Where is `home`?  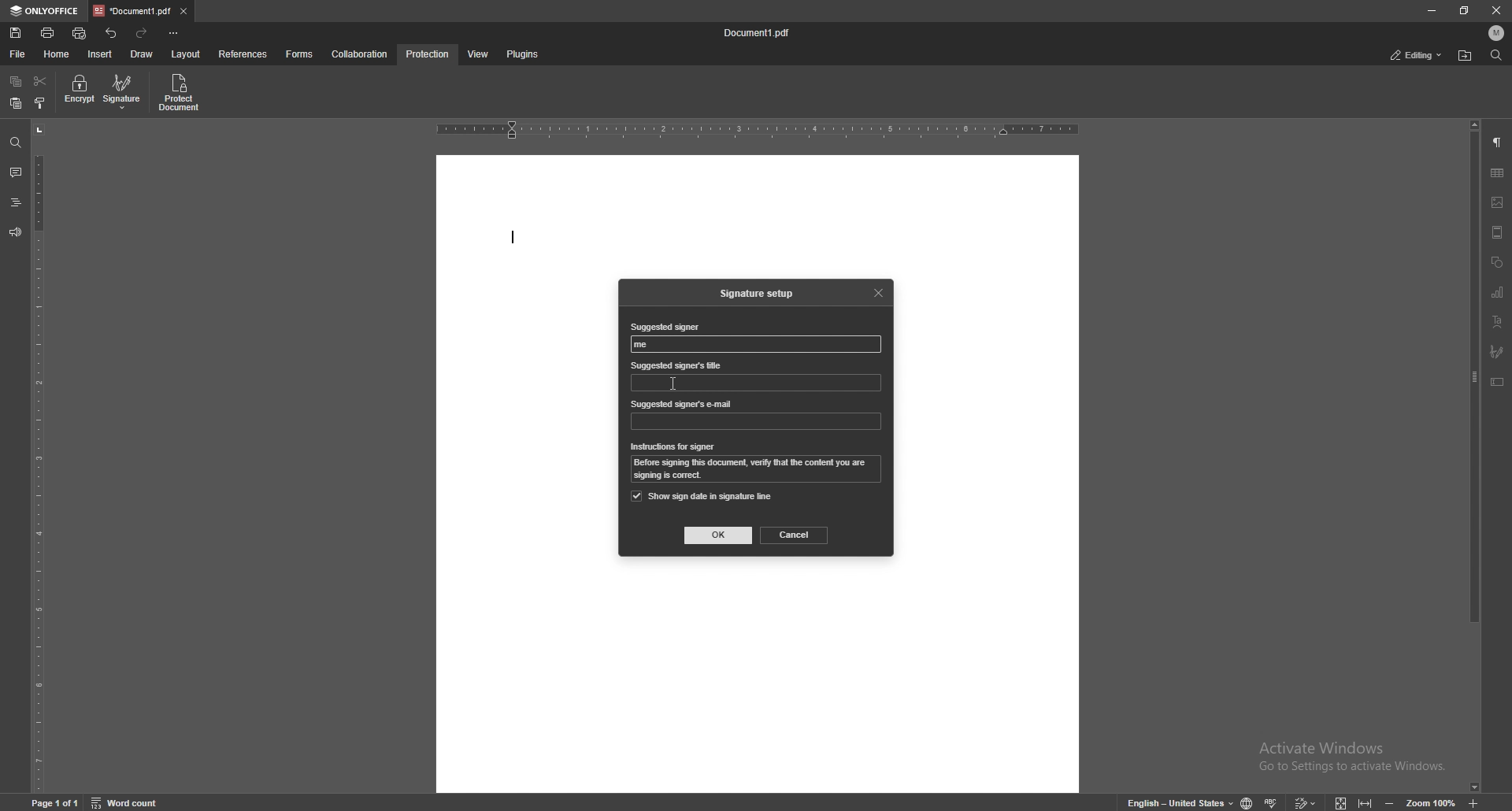 home is located at coordinates (59, 54).